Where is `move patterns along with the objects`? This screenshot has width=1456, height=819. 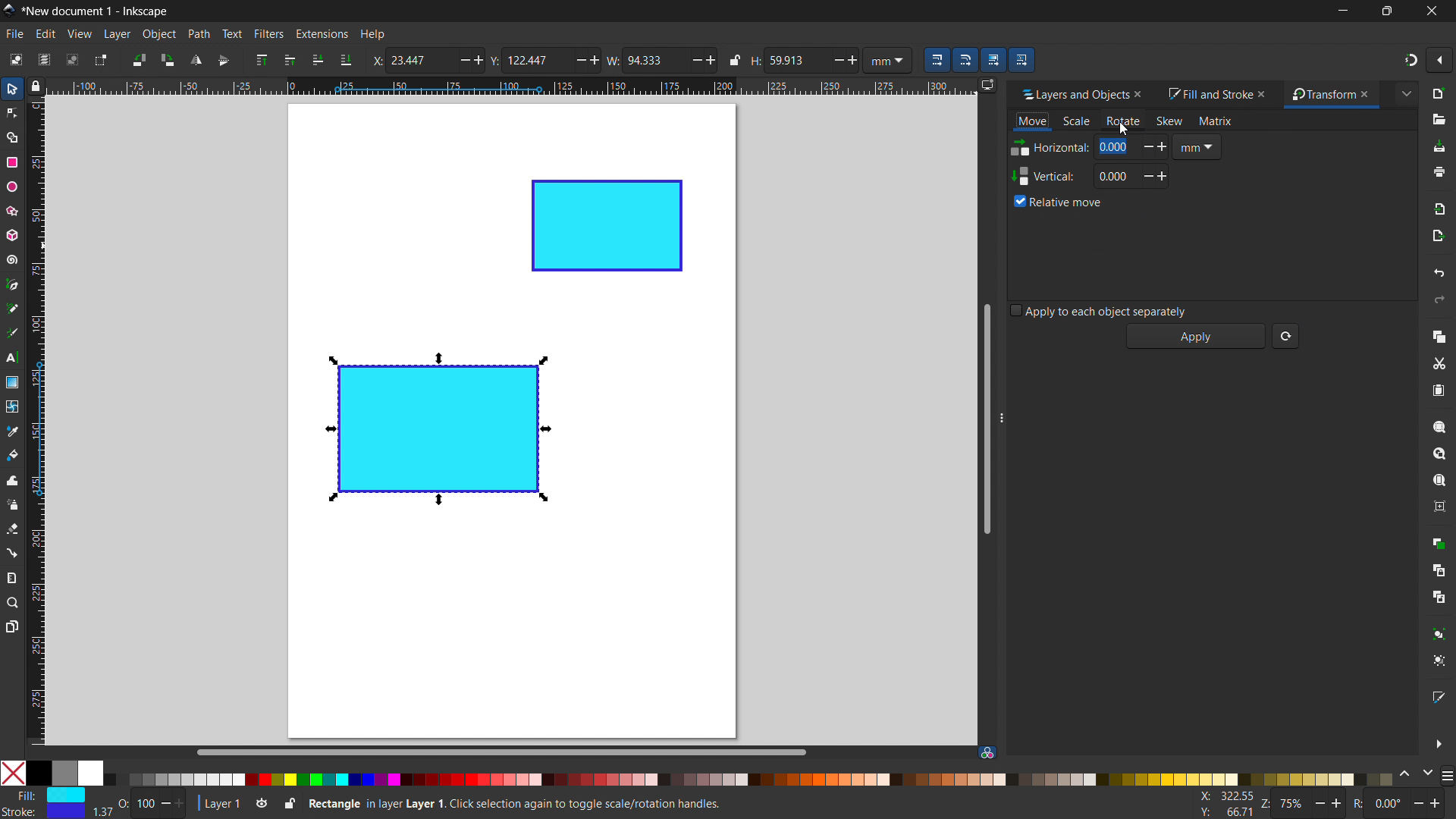 move patterns along with the objects is located at coordinates (1021, 59).